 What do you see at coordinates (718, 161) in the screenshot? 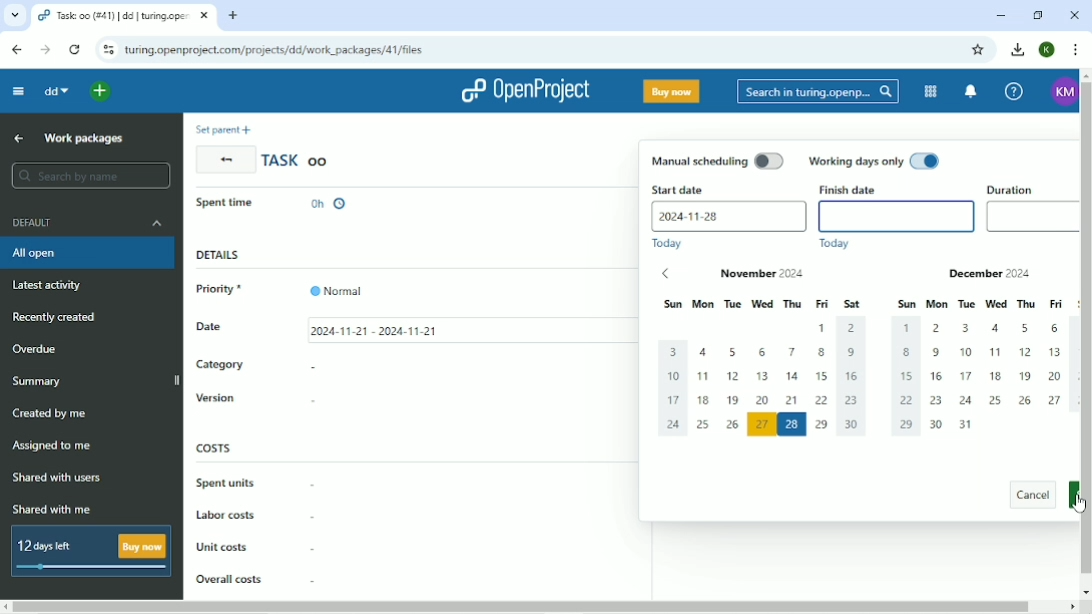
I see `Manual scheduling` at bounding box center [718, 161].